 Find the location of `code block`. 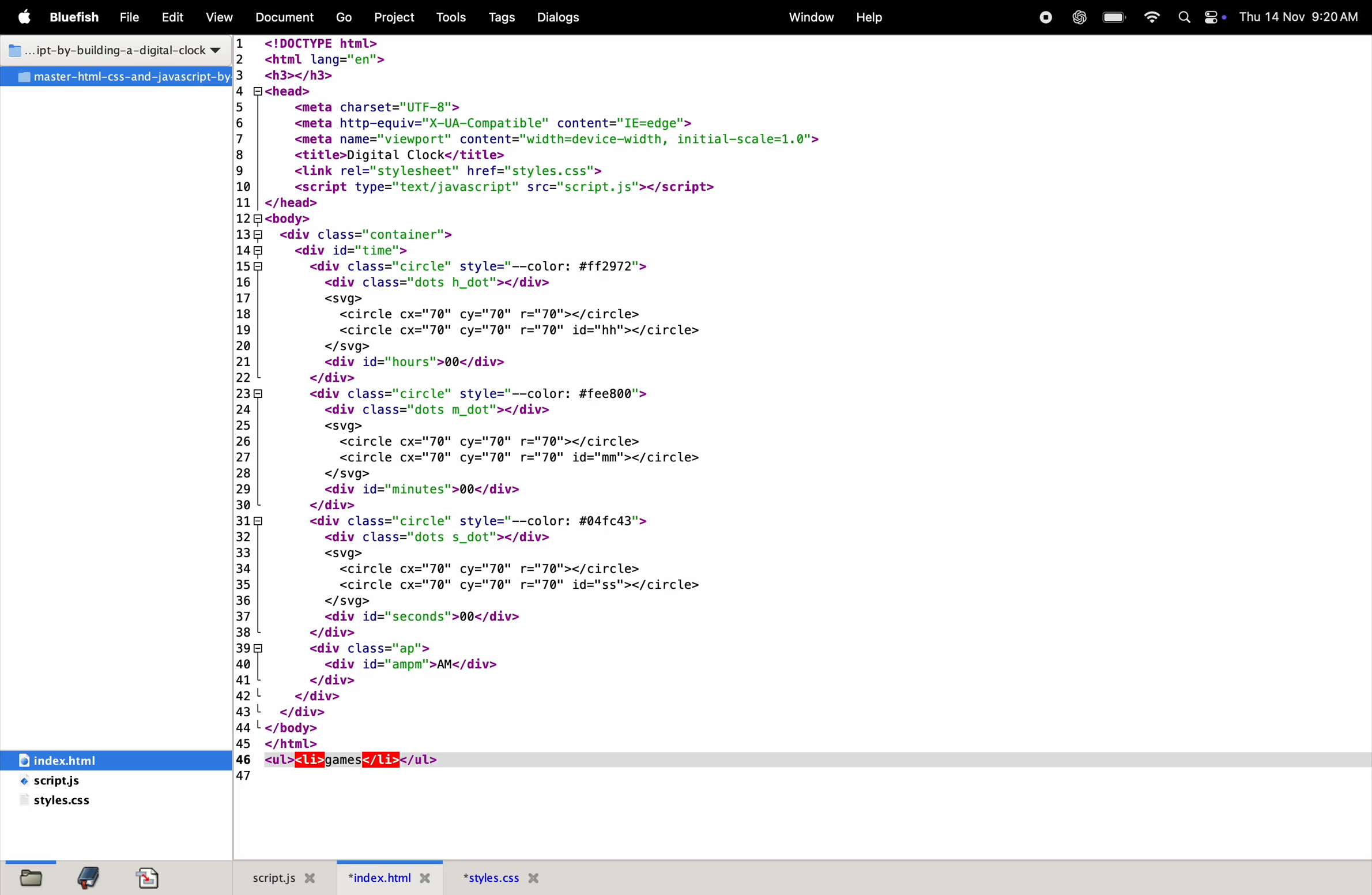

code block is located at coordinates (617, 393).